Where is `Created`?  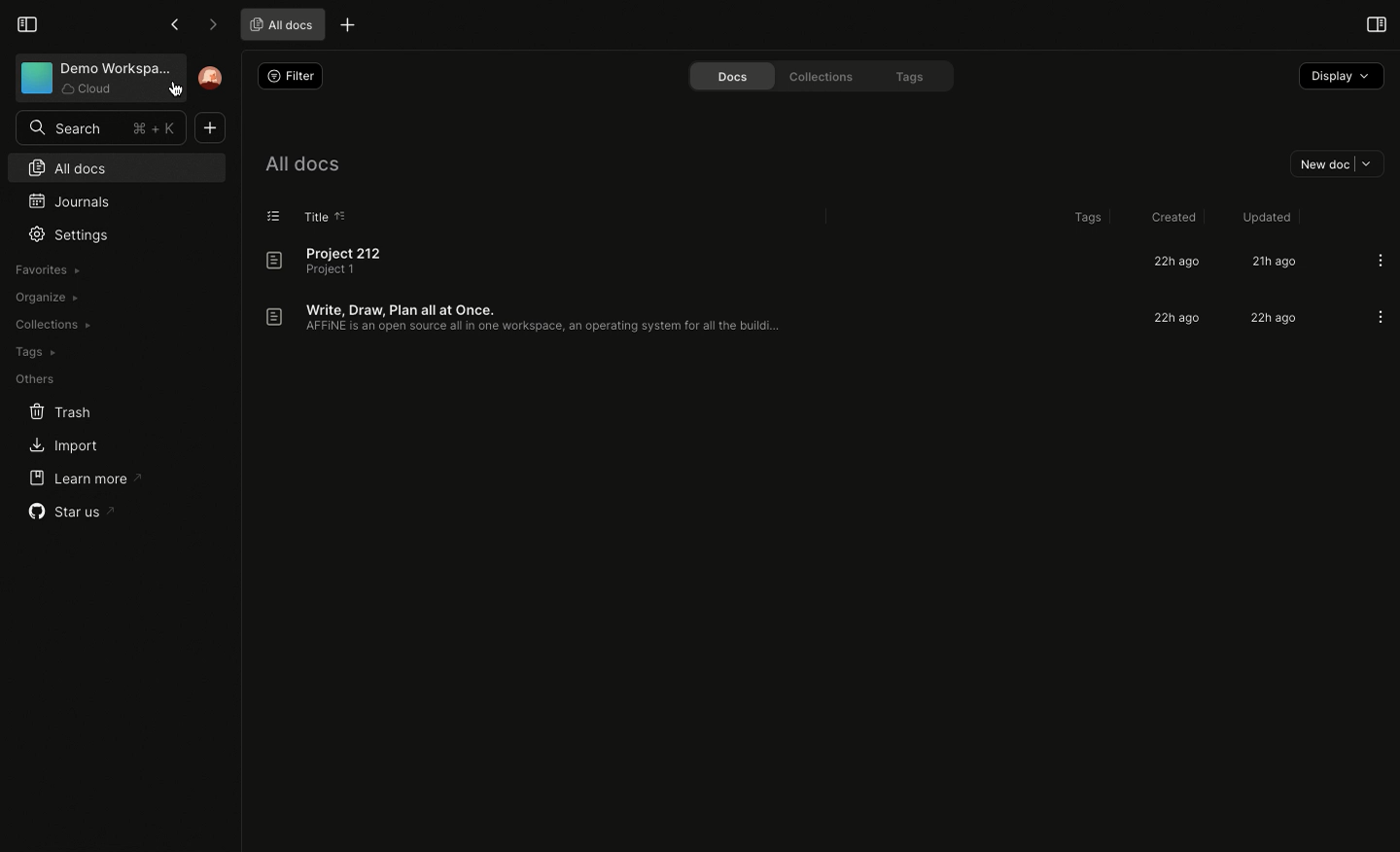
Created is located at coordinates (1171, 214).